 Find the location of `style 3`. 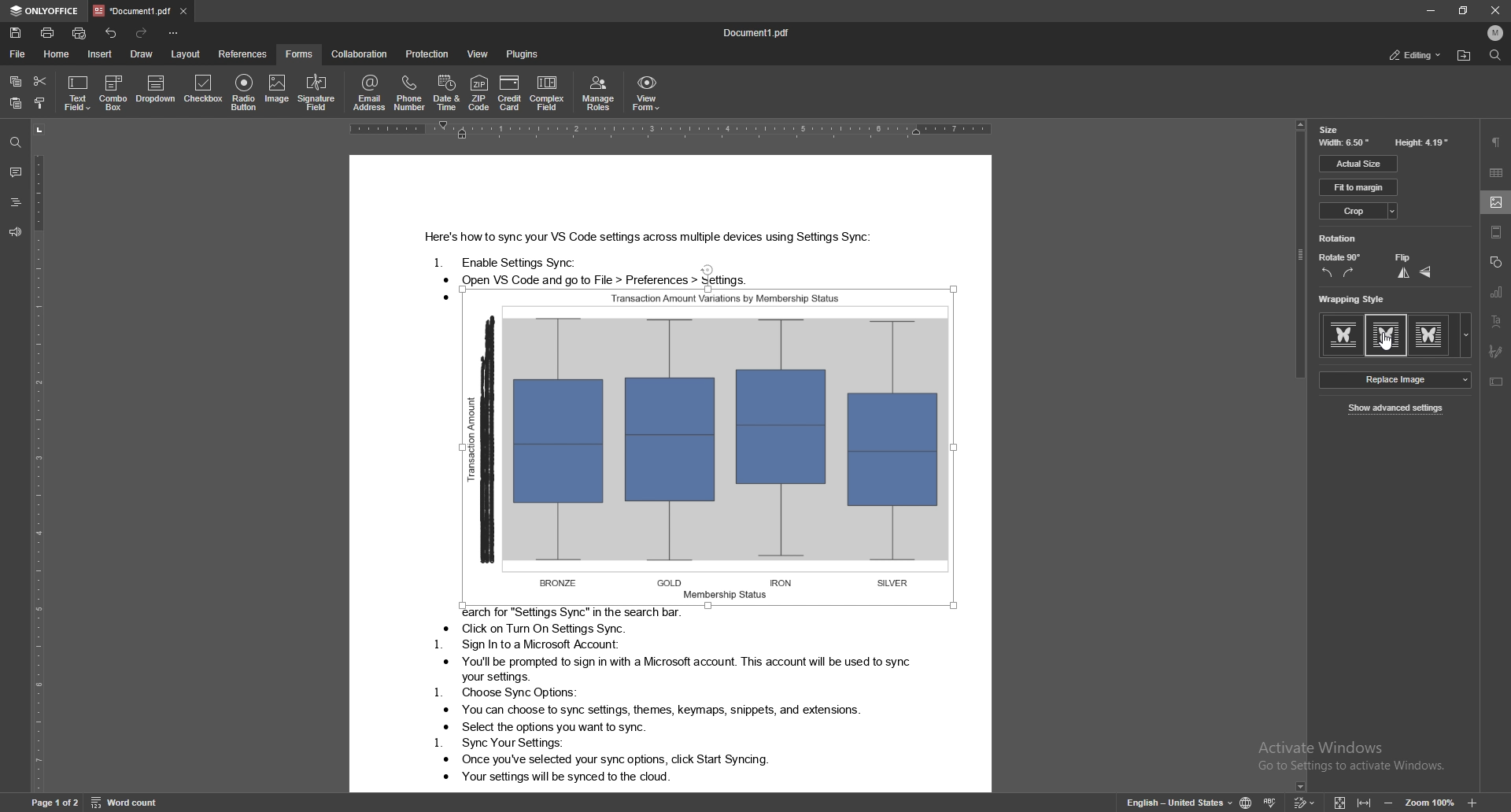

style 3 is located at coordinates (1443, 337).